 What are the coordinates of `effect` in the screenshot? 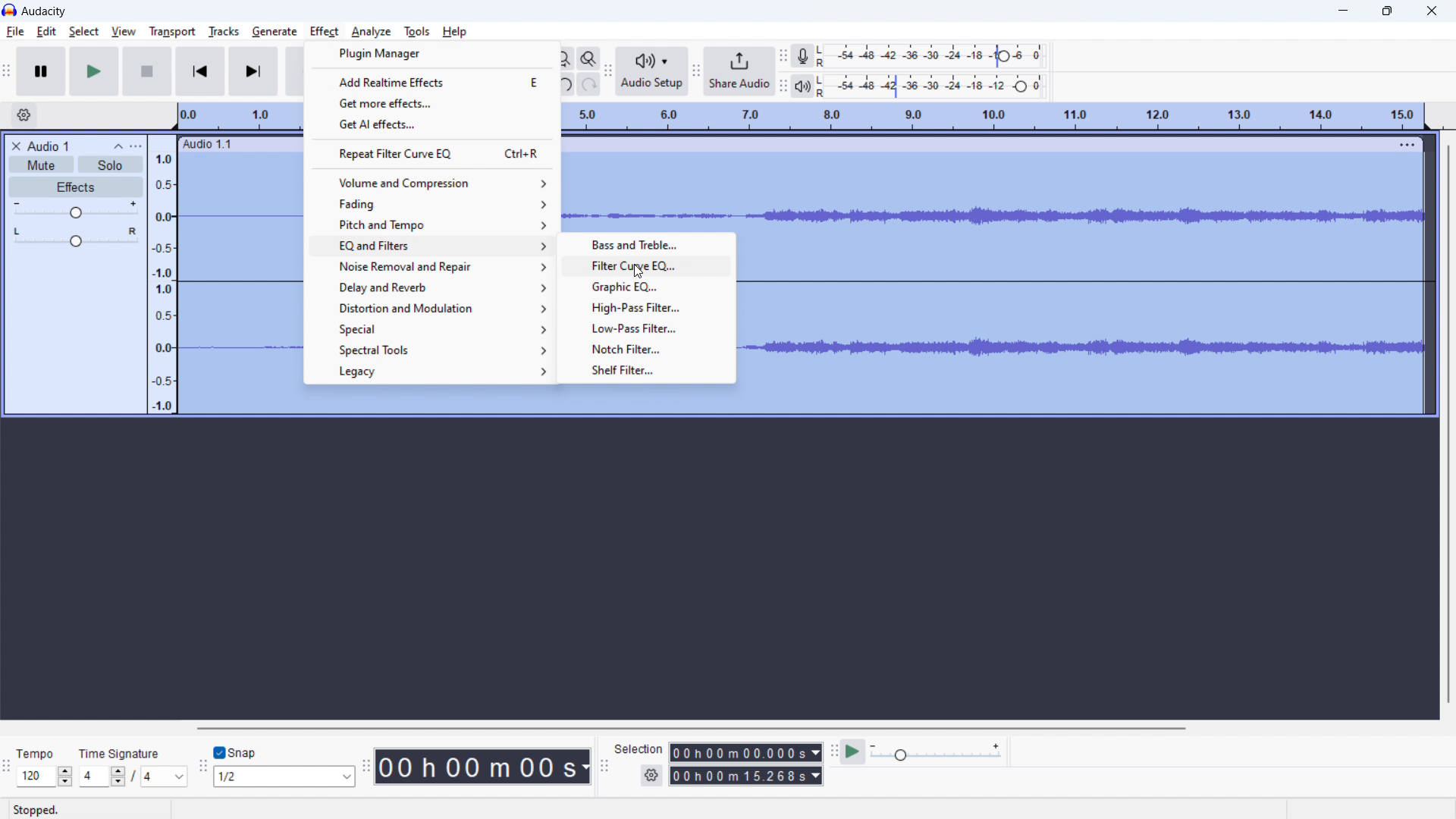 It's located at (323, 32).